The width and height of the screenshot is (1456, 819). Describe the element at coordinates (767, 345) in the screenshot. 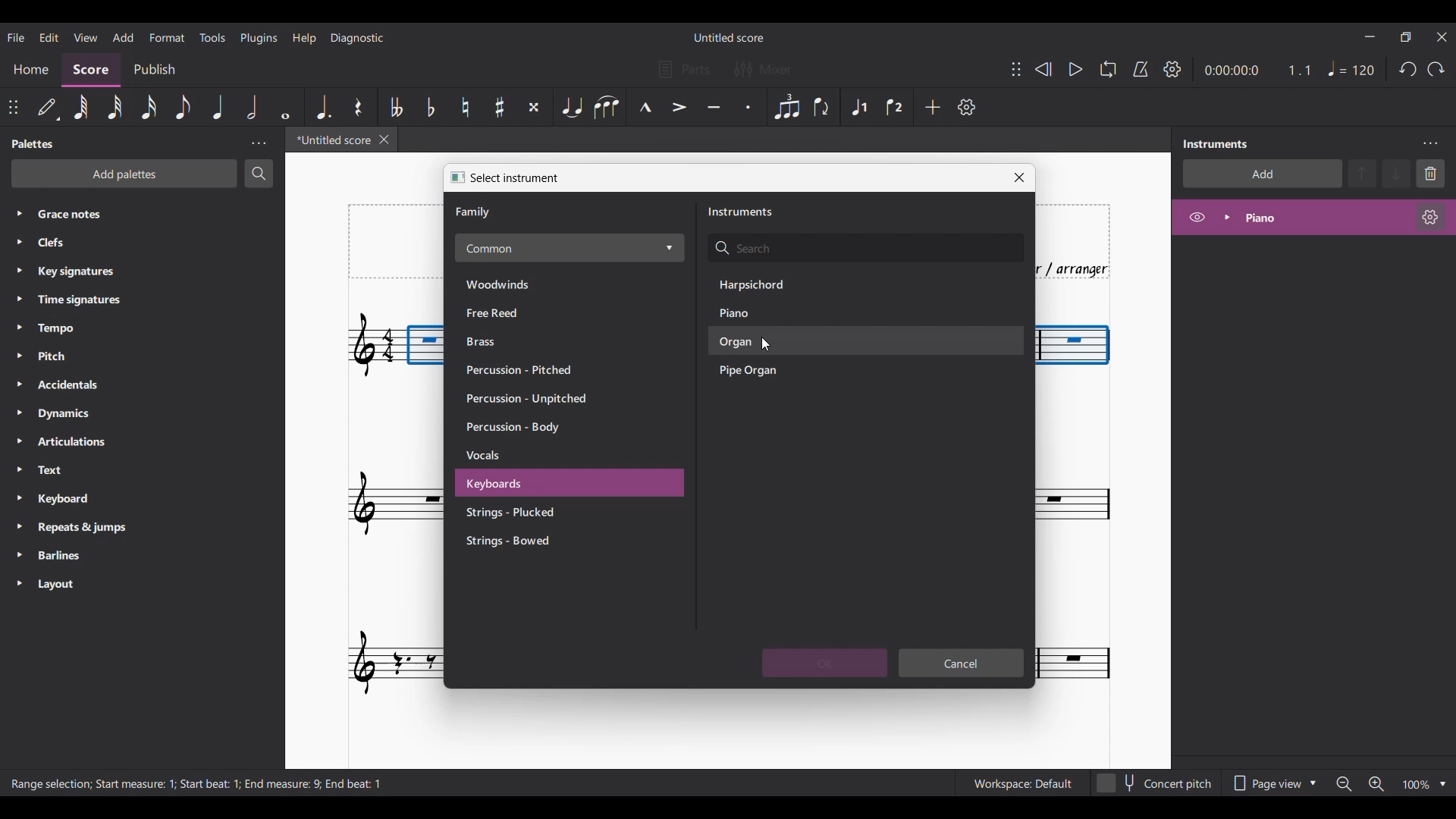

I see `Cursor` at that location.